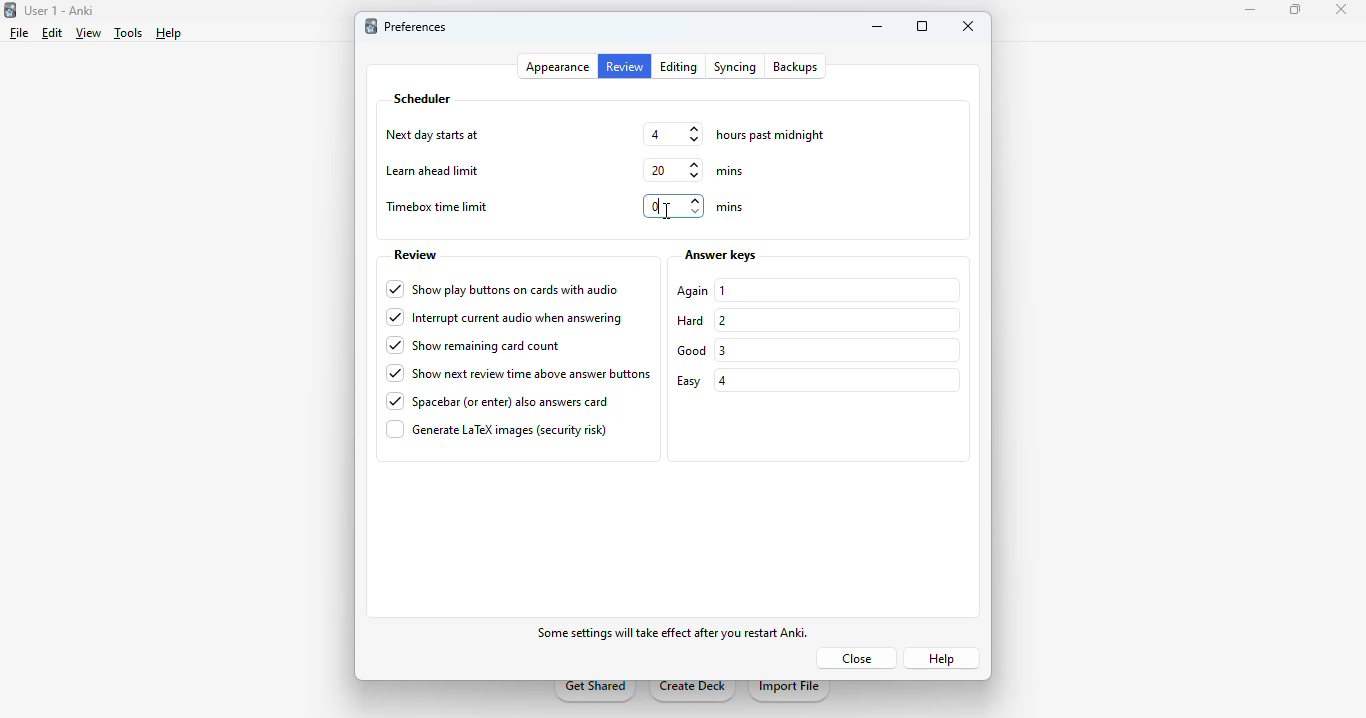 The image size is (1366, 718). Describe the element at coordinates (733, 66) in the screenshot. I see `syncing` at that location.